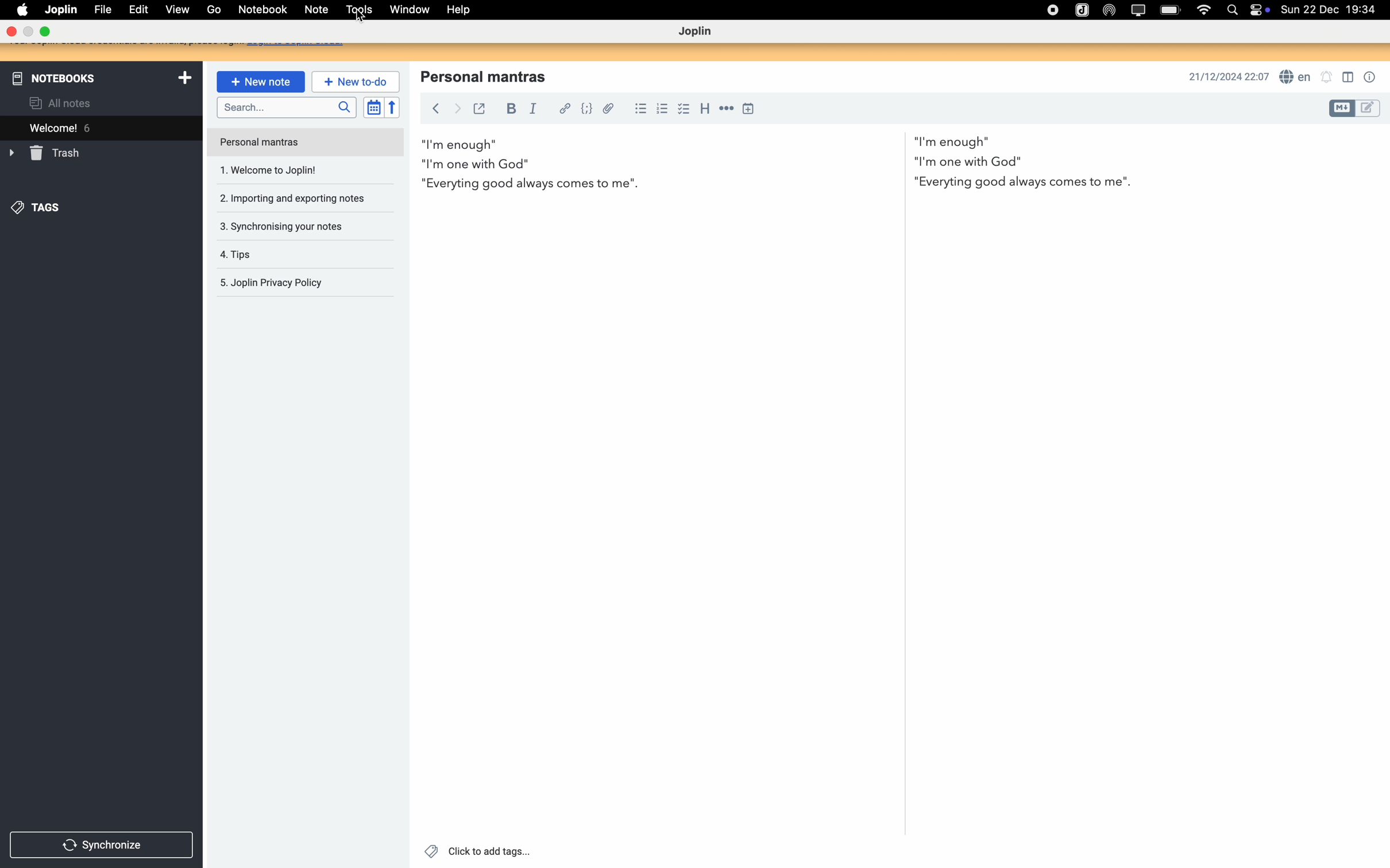  What do you see at coordinates (1136, 9) in the screenshot?
I see `screen` at bounding box center [1136, 9].